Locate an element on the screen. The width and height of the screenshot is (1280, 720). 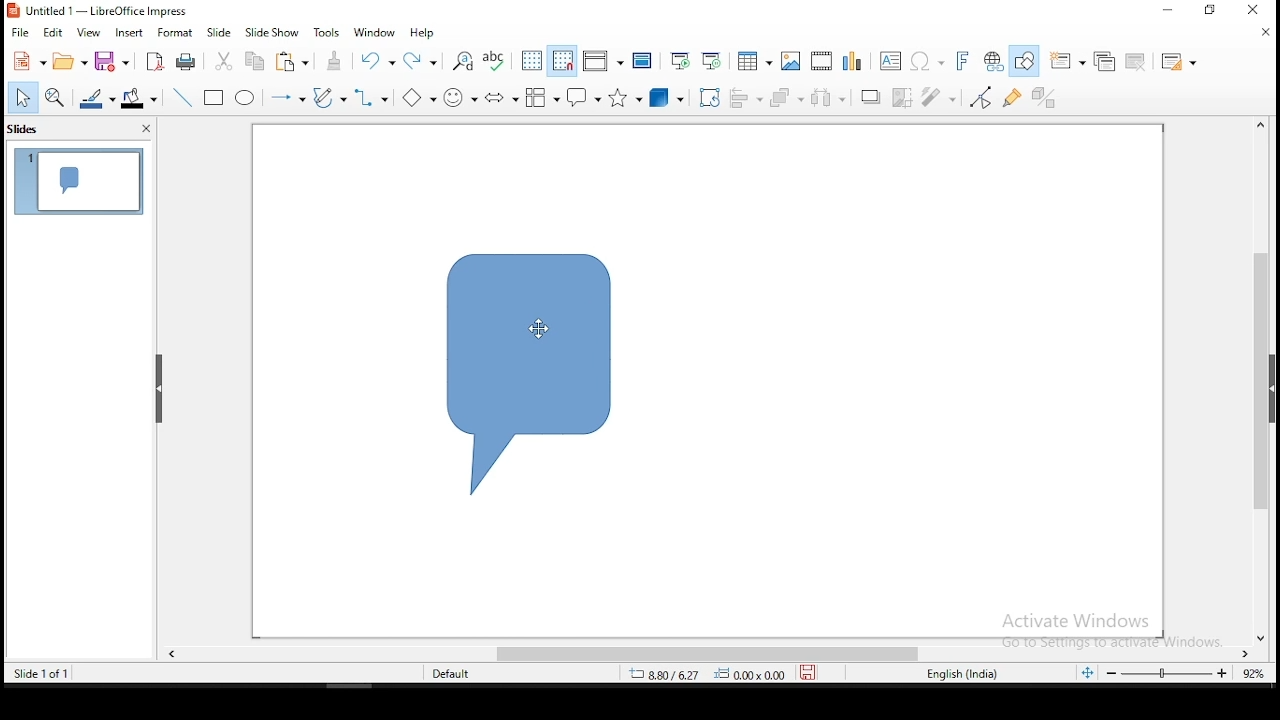
view is located at coordinates (91, 33).